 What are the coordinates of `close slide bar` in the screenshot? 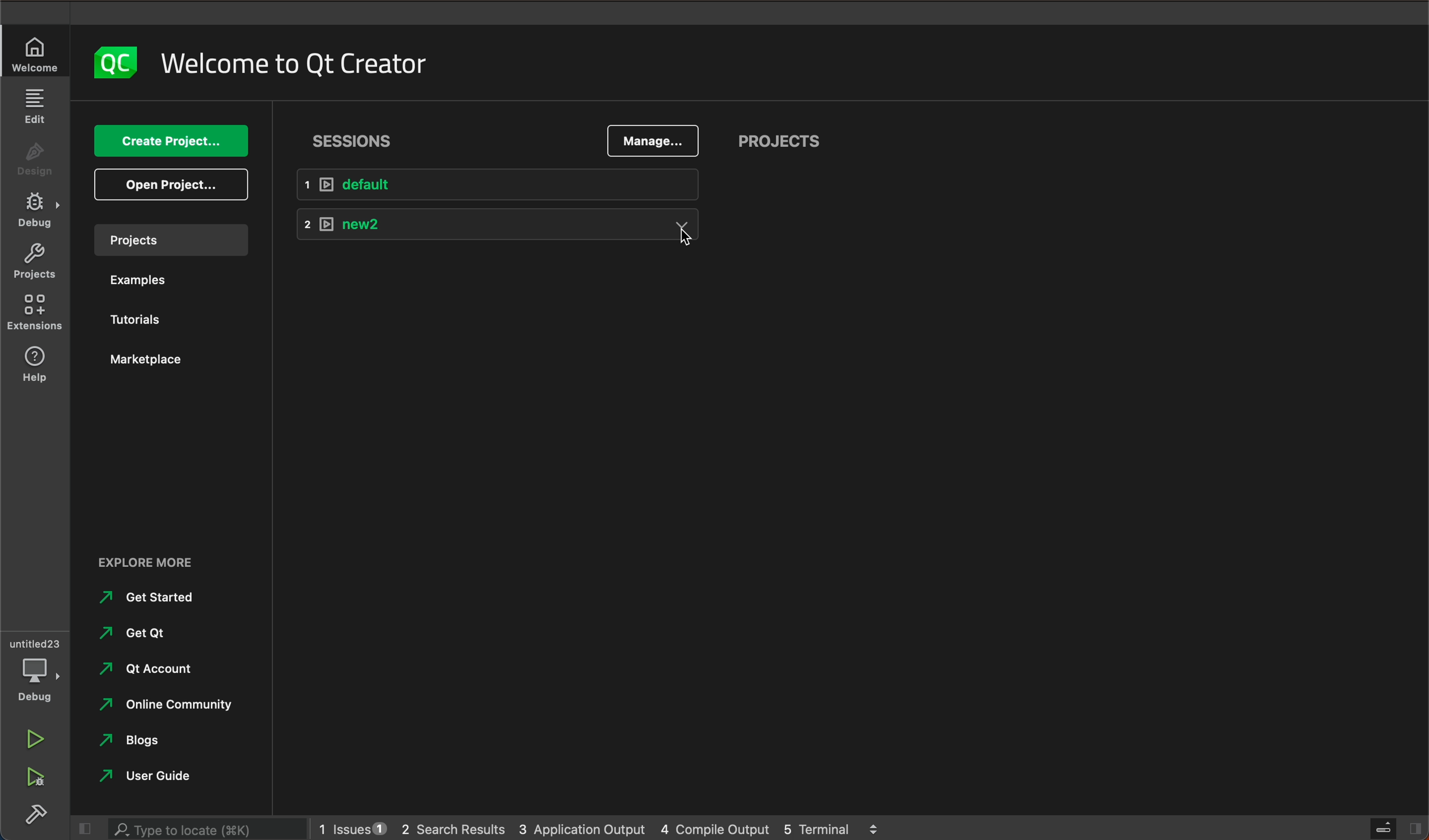 It's located at (83, 828).